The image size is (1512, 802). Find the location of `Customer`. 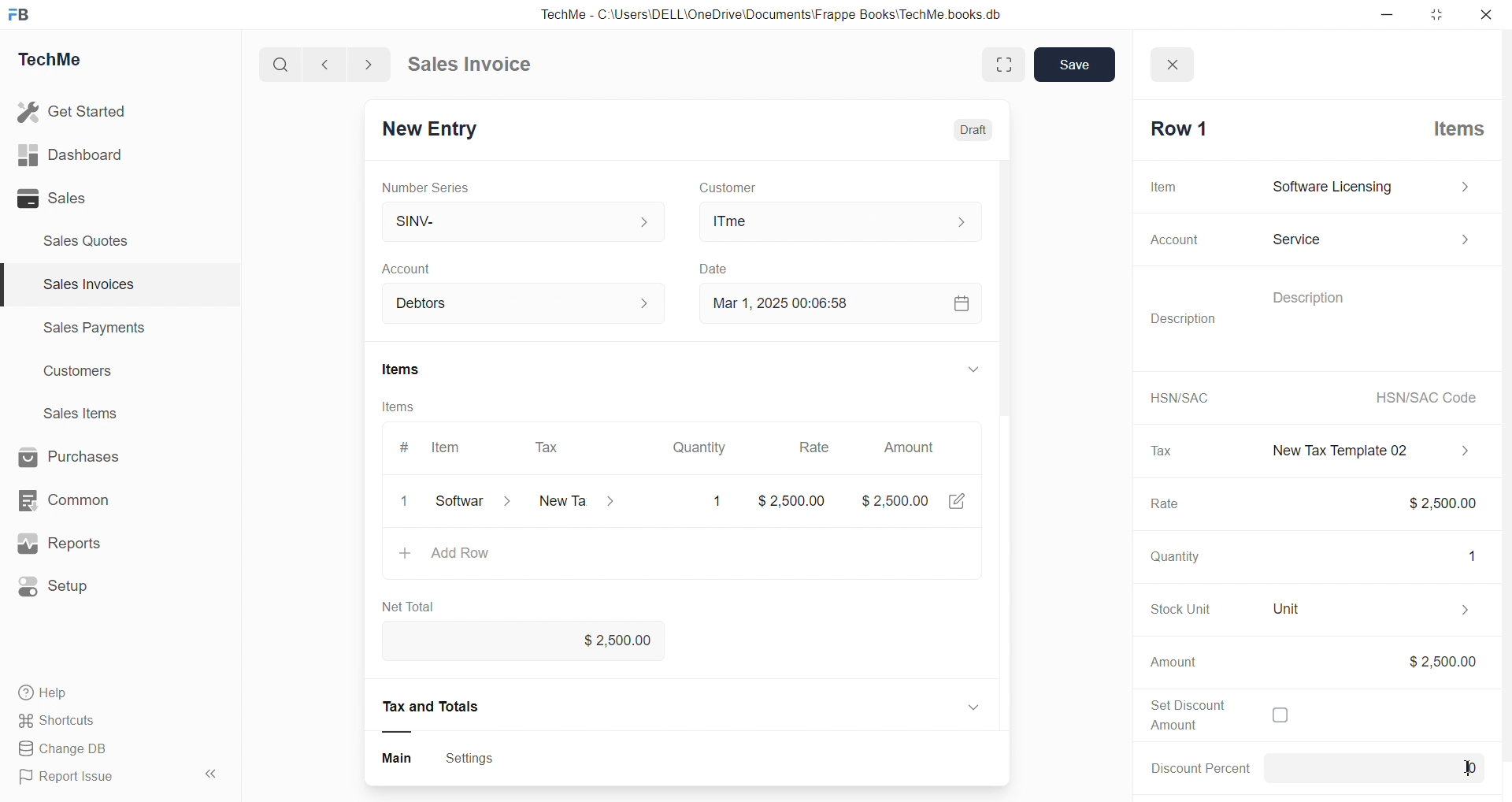

Customer is located at coordinates (754, 186).